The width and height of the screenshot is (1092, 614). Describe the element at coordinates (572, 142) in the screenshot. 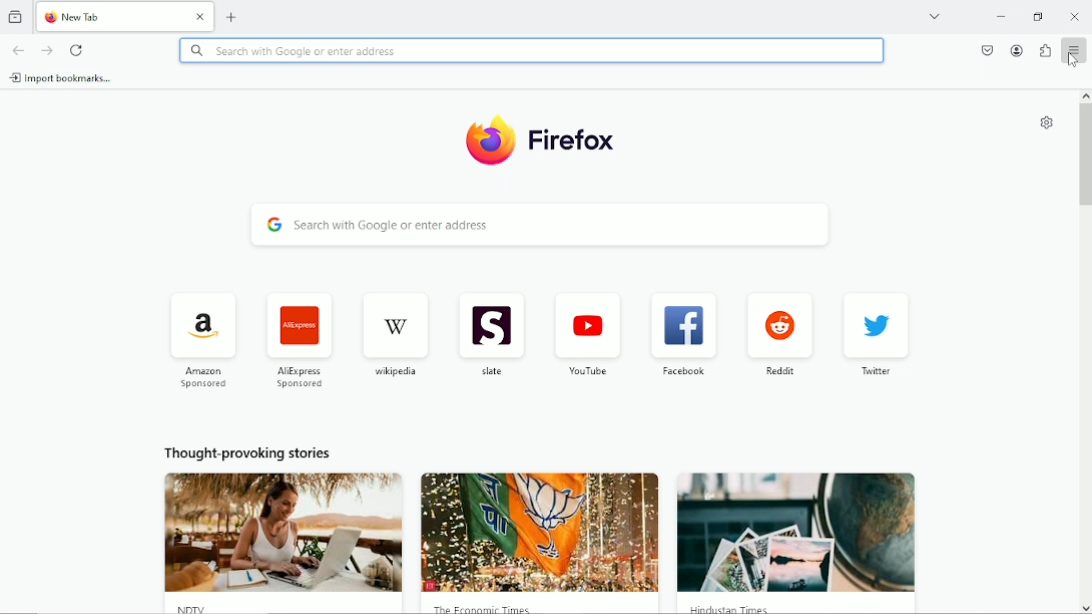

I see `Firefox` at that location.